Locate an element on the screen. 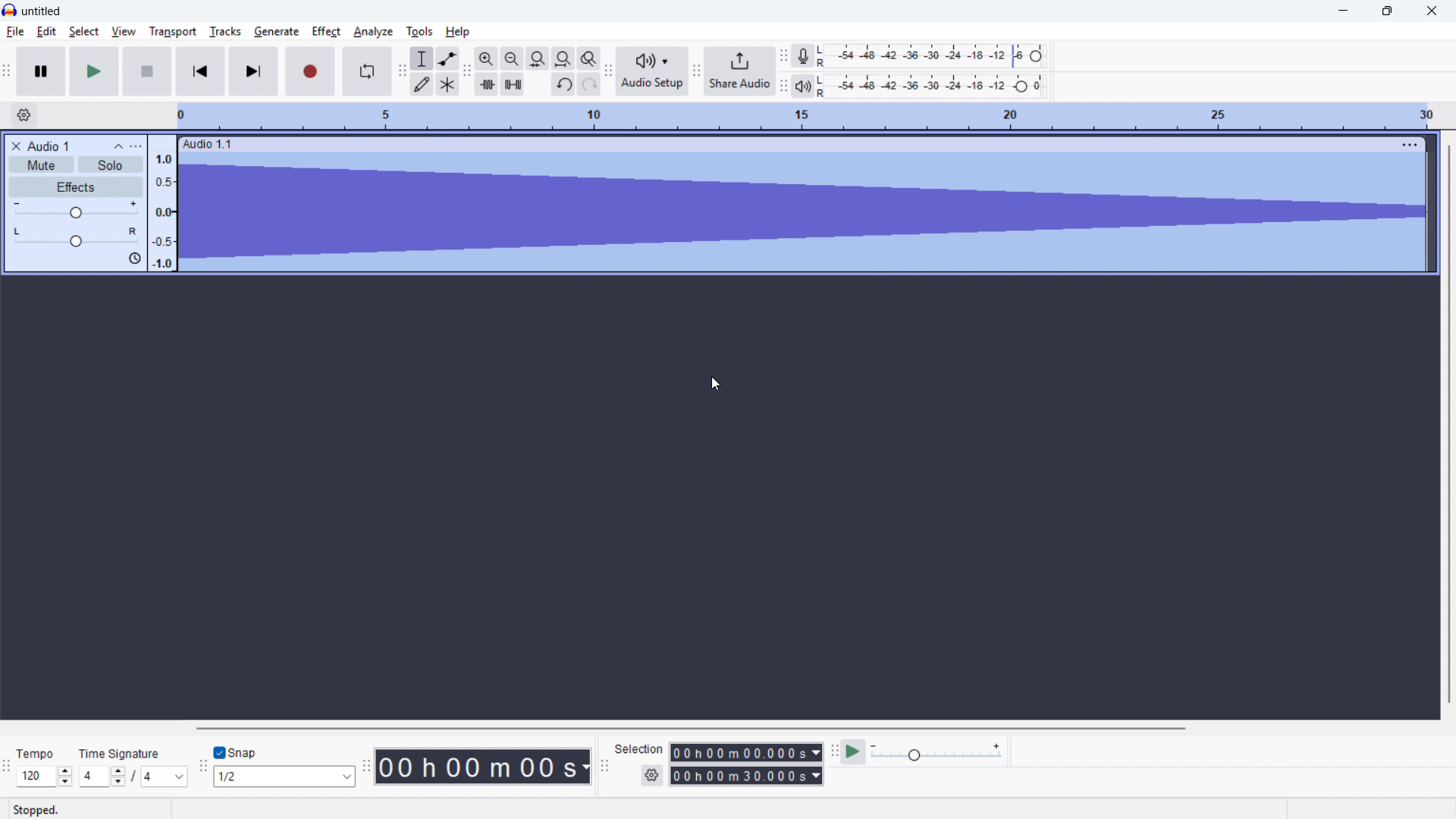  Pause  is located at coordinates (41, 70).